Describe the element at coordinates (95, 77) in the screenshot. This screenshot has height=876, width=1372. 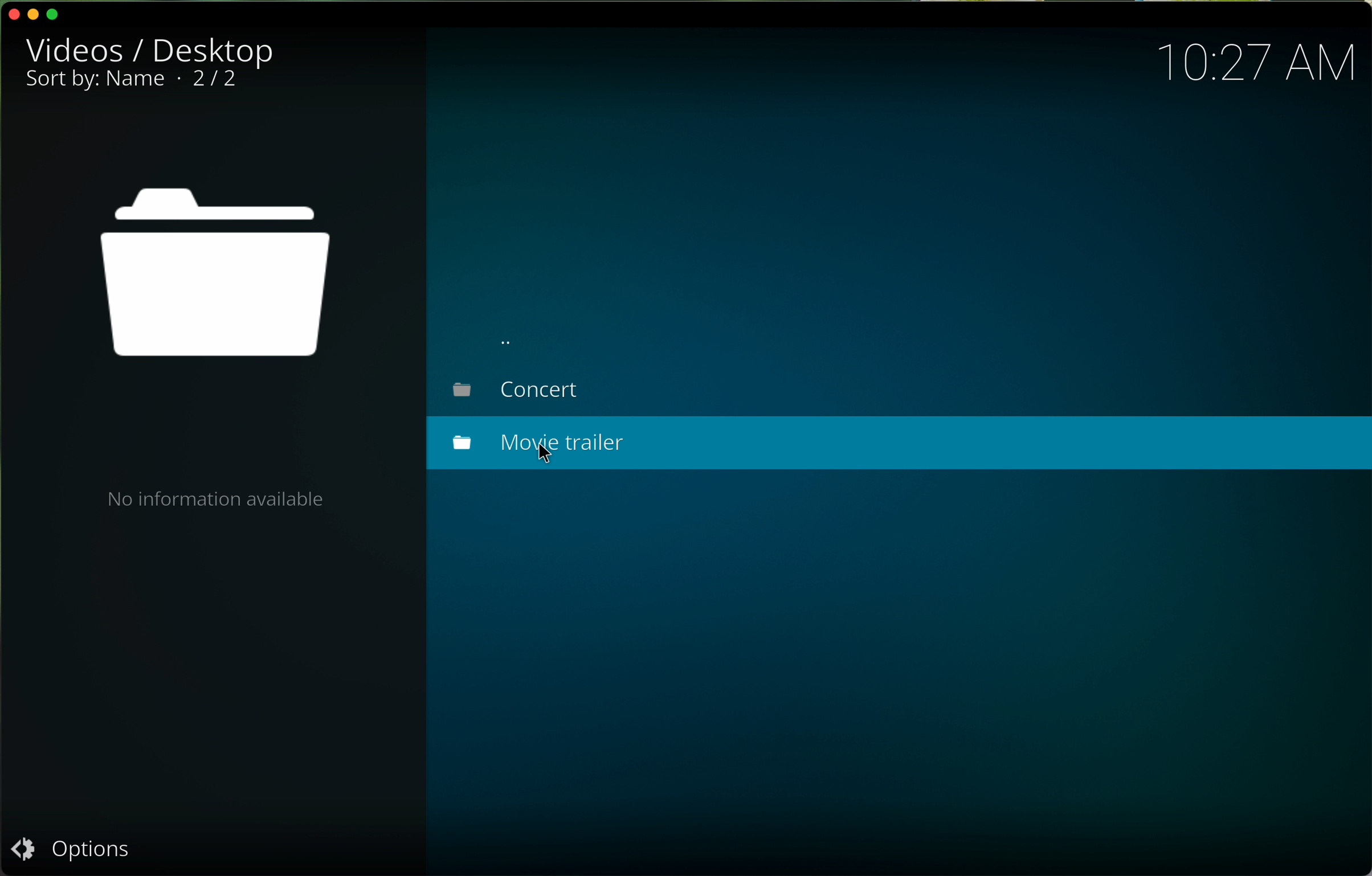
I see `sort by` at that location.